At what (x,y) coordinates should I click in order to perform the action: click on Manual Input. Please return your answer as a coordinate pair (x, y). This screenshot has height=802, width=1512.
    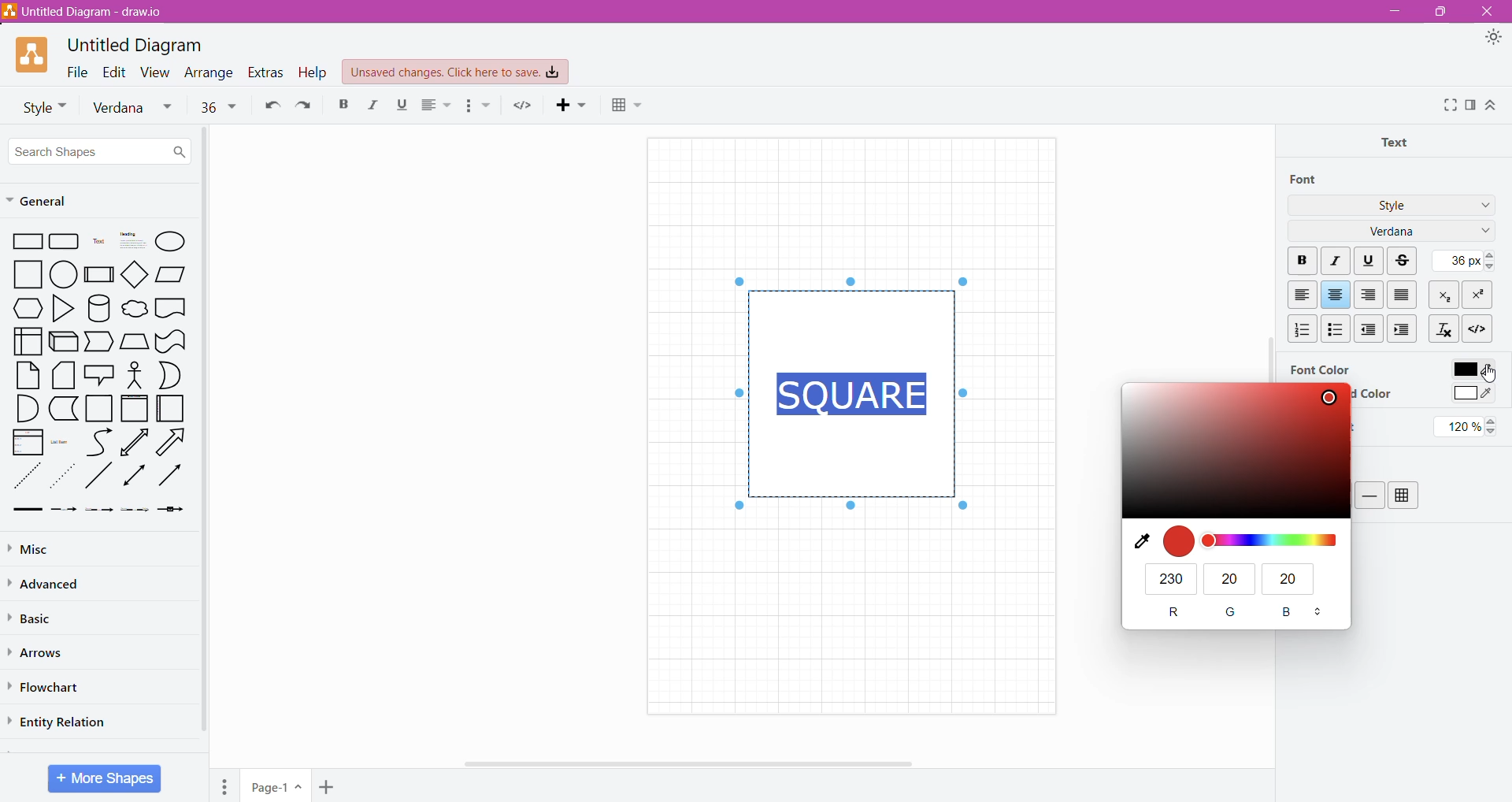
    Looking at the image, I should click on (134, 342).